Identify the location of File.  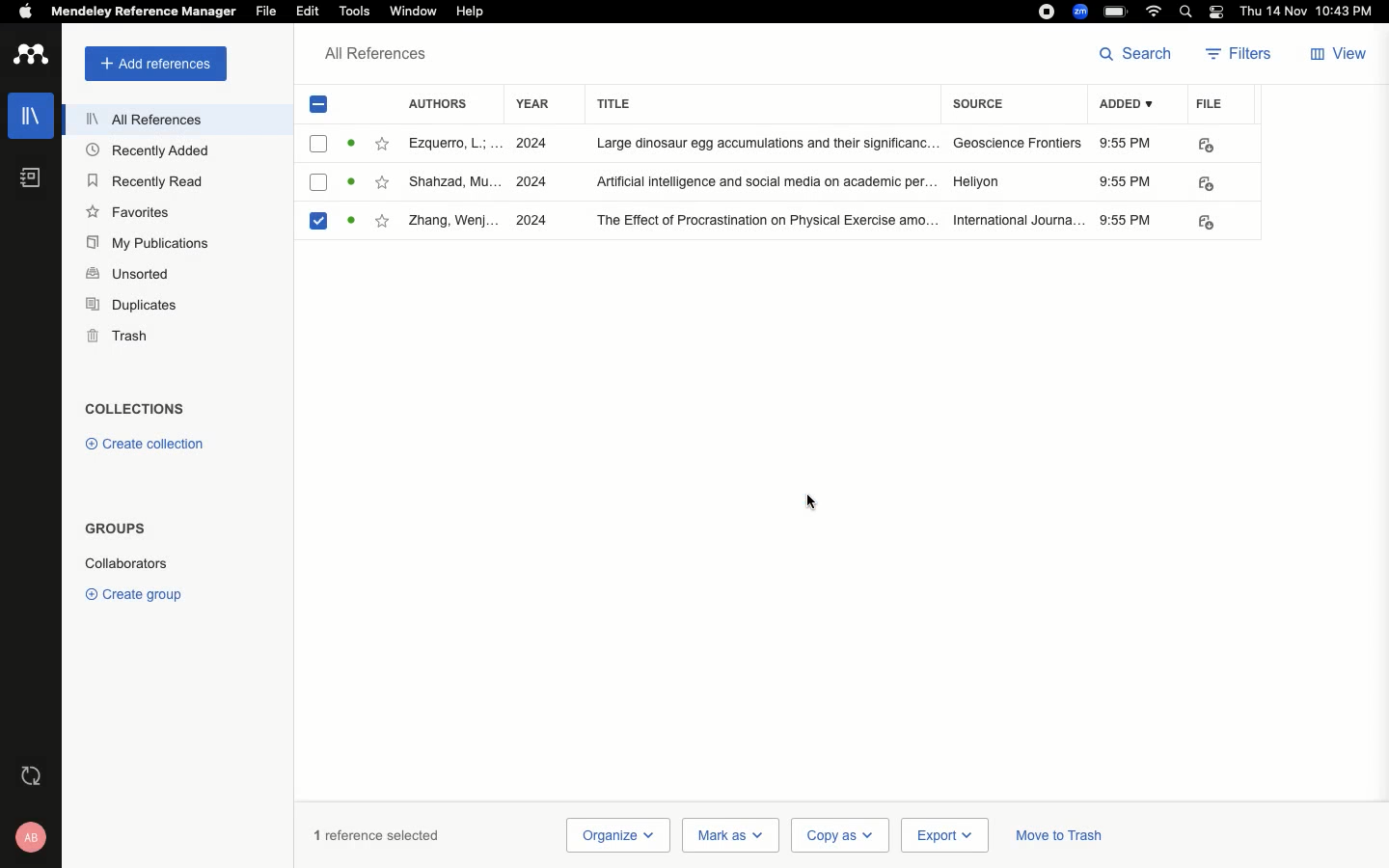
(267, 12).